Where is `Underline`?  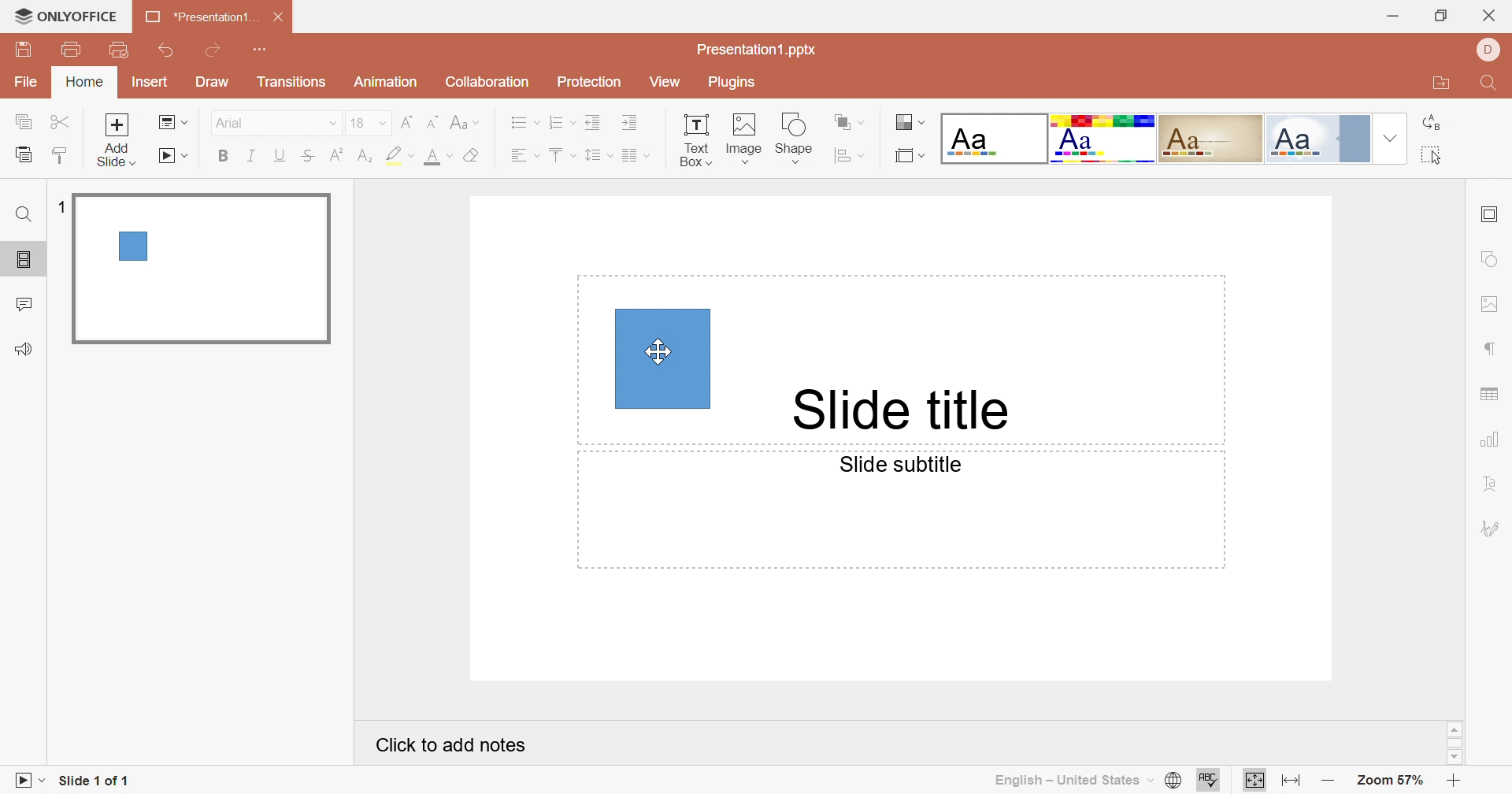 Underline is located at coordinates (280, 153).